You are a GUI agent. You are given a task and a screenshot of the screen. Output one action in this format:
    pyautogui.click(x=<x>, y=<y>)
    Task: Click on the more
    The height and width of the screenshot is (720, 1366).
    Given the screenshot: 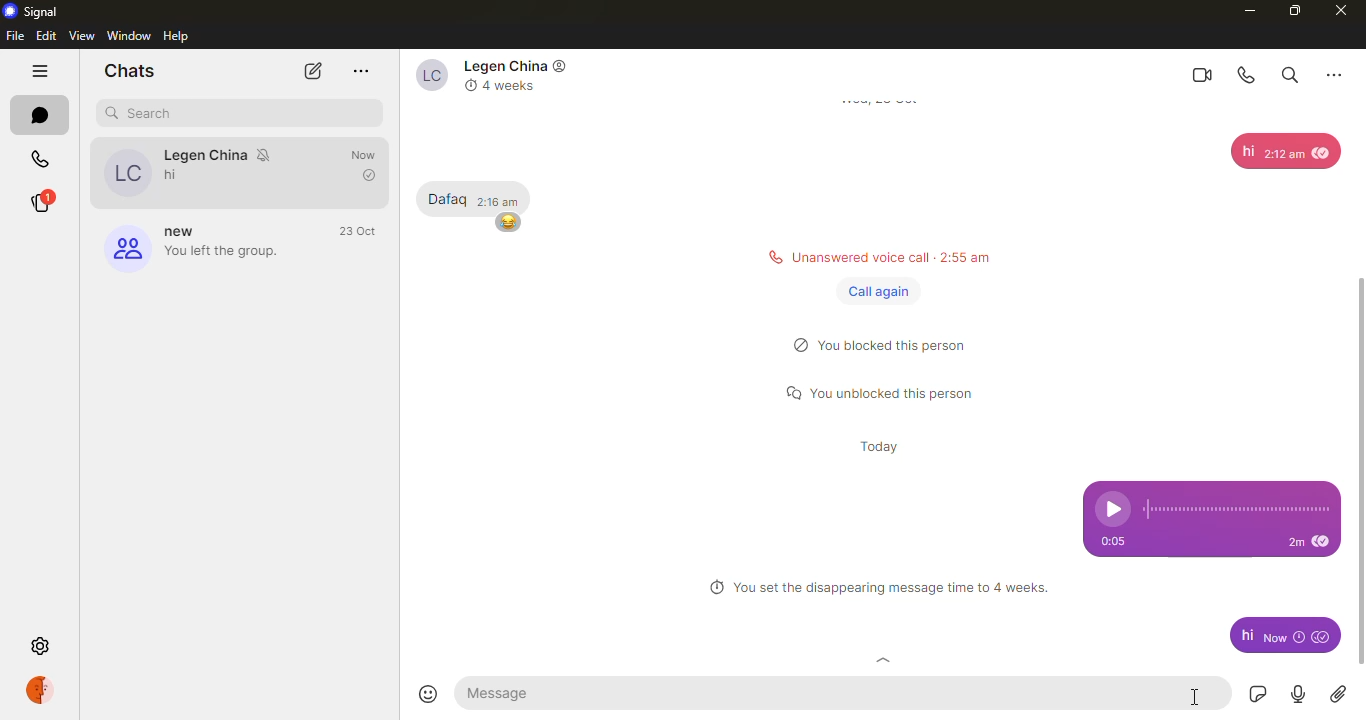 What is the action you would take?
    pyautogui.click(x=362, y=71)
    